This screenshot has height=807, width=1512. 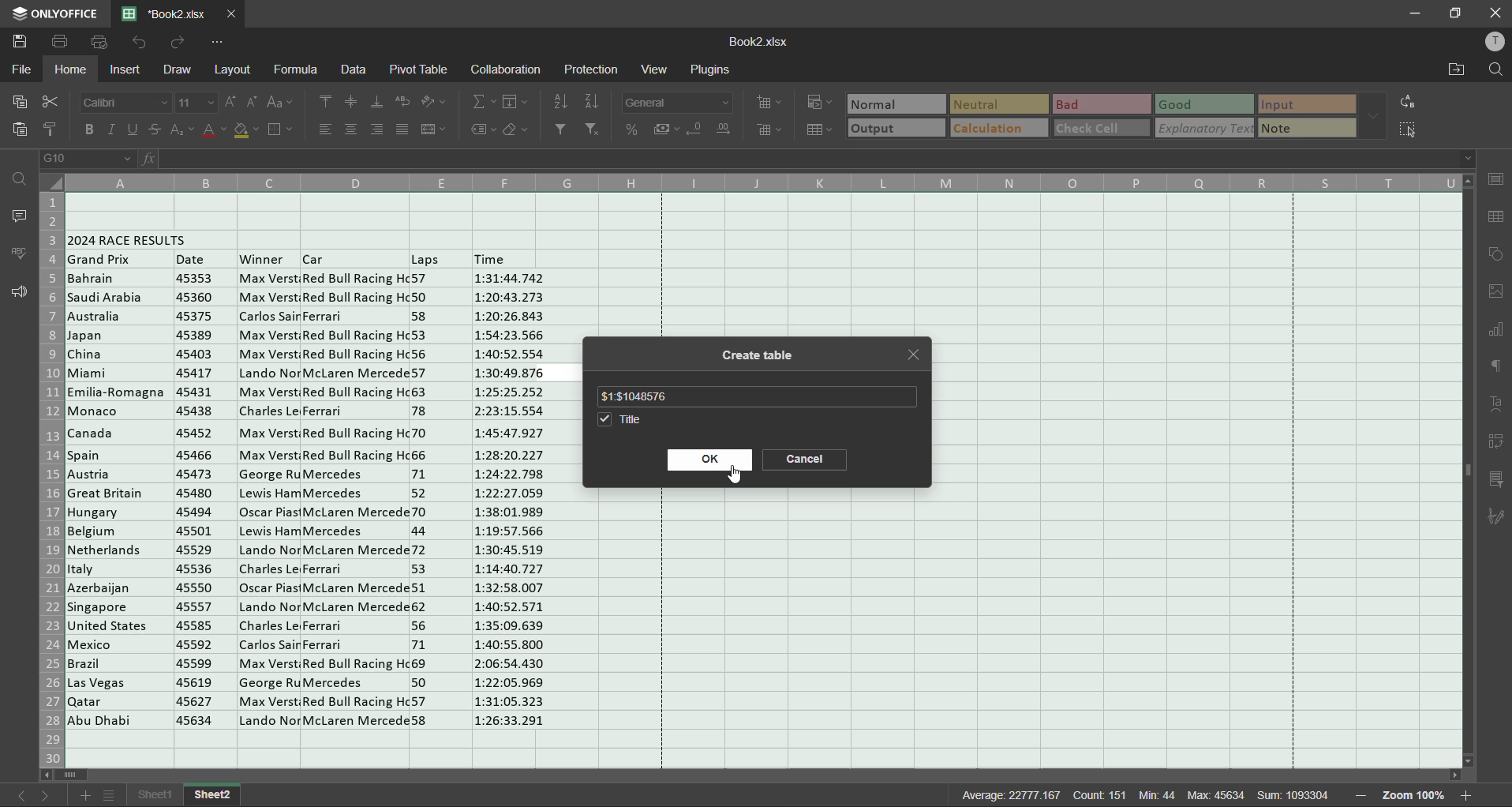 I want to click on Time, so click(x=510, y=505).